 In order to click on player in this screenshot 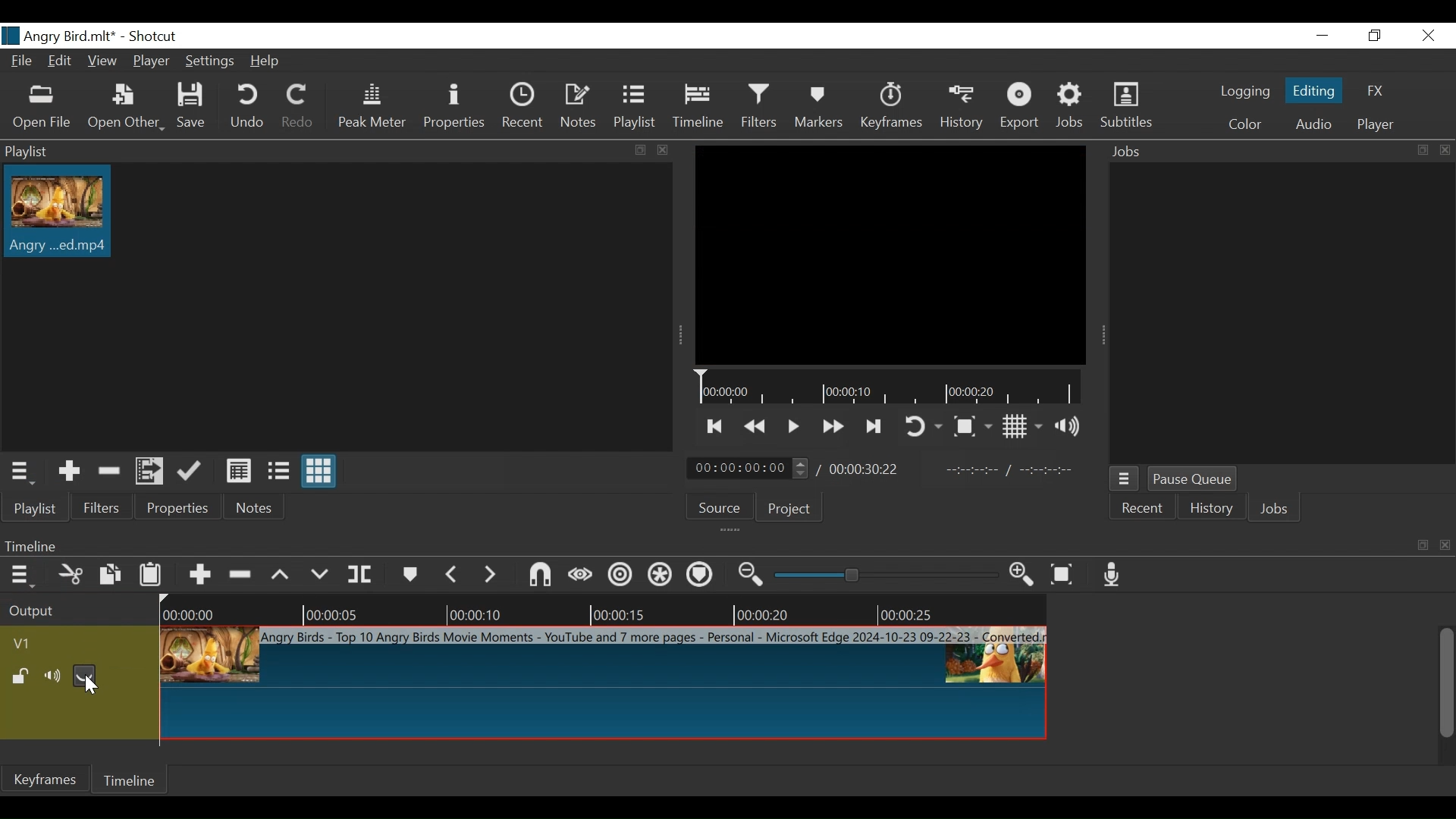, I will do `click(1376, 124)`.